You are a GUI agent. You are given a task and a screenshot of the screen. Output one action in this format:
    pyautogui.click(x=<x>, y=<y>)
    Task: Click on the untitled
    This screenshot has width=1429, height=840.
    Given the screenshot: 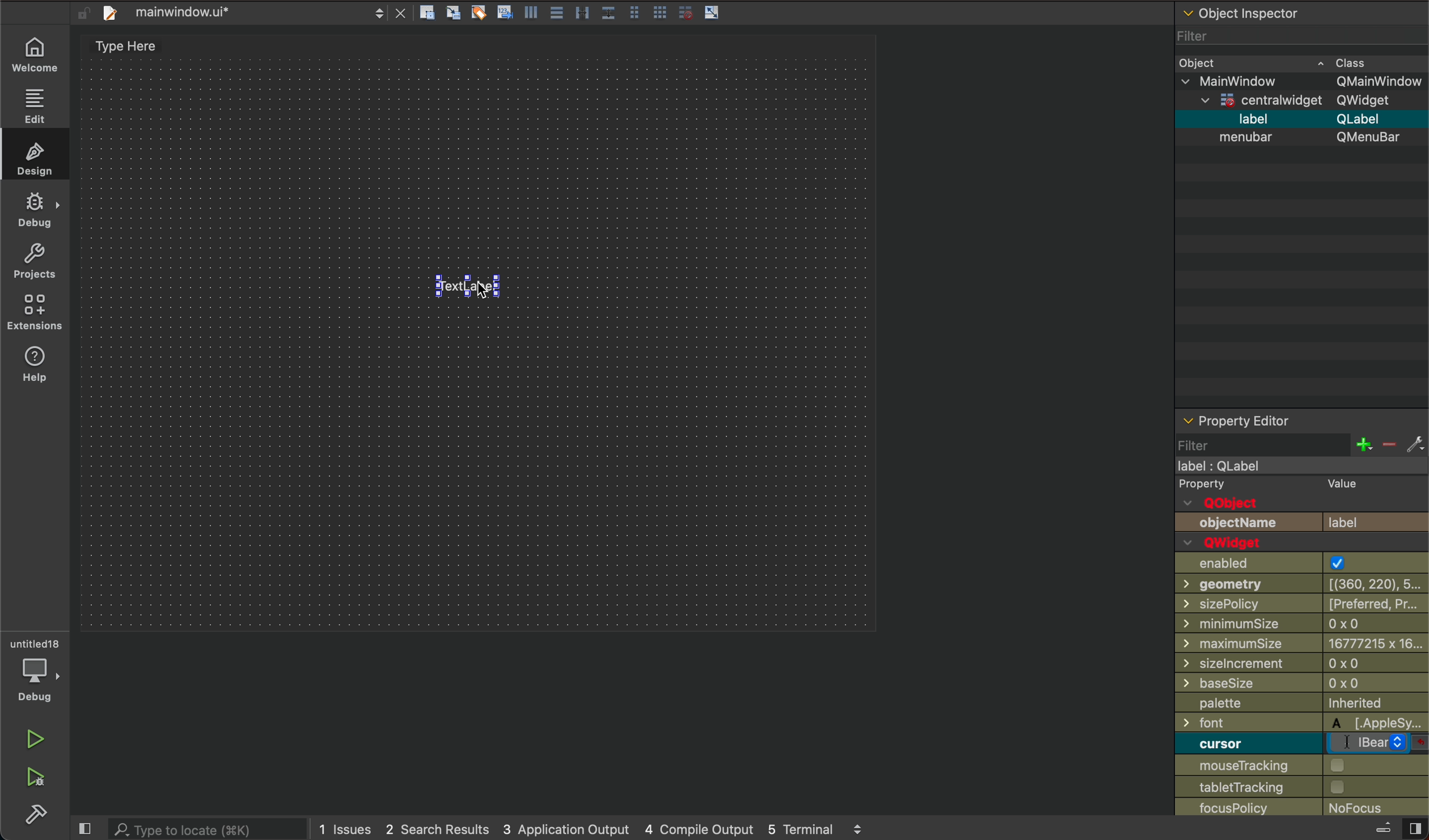 What is the action you would take?
    pyautogui.click(x=34, y=635)
    